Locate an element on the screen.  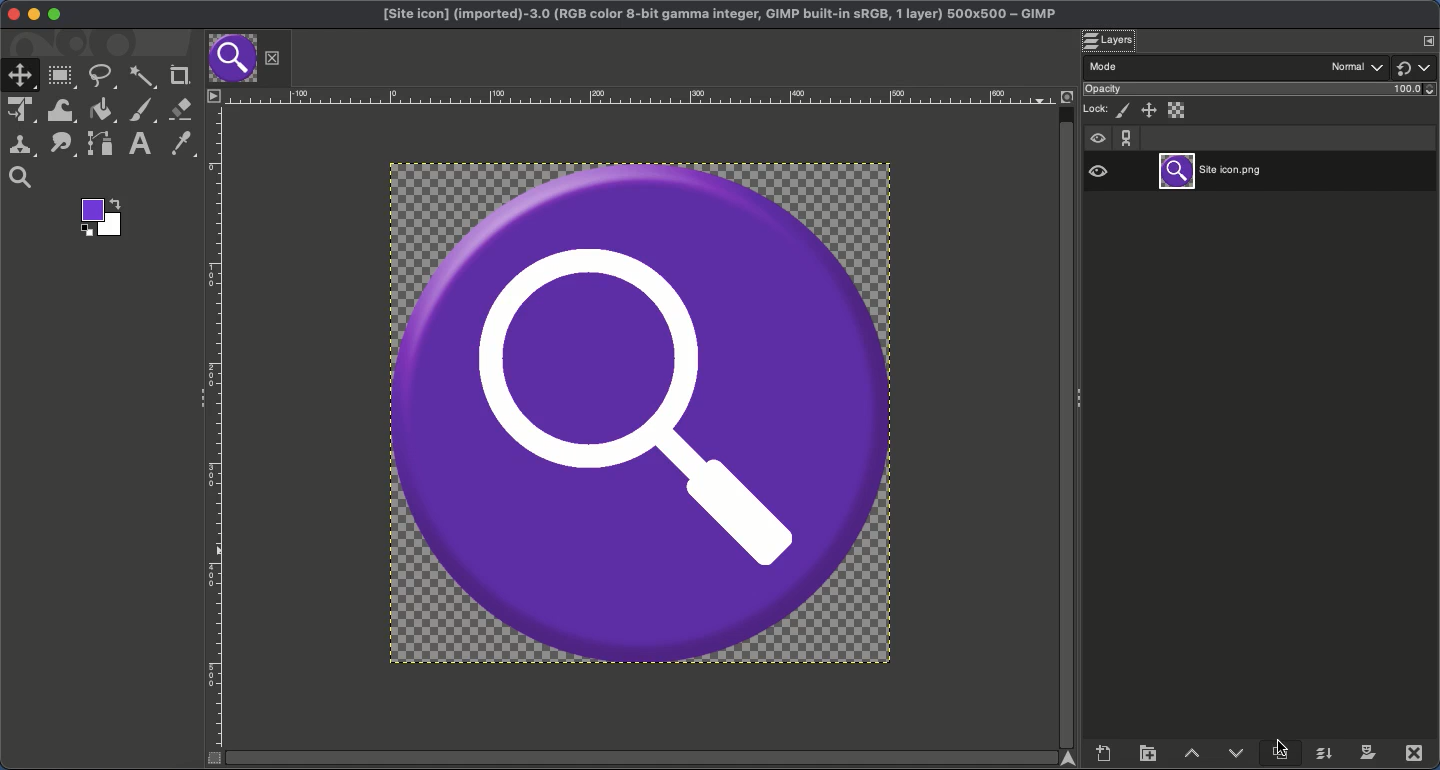
Menu is located at coordinates (212, 95).